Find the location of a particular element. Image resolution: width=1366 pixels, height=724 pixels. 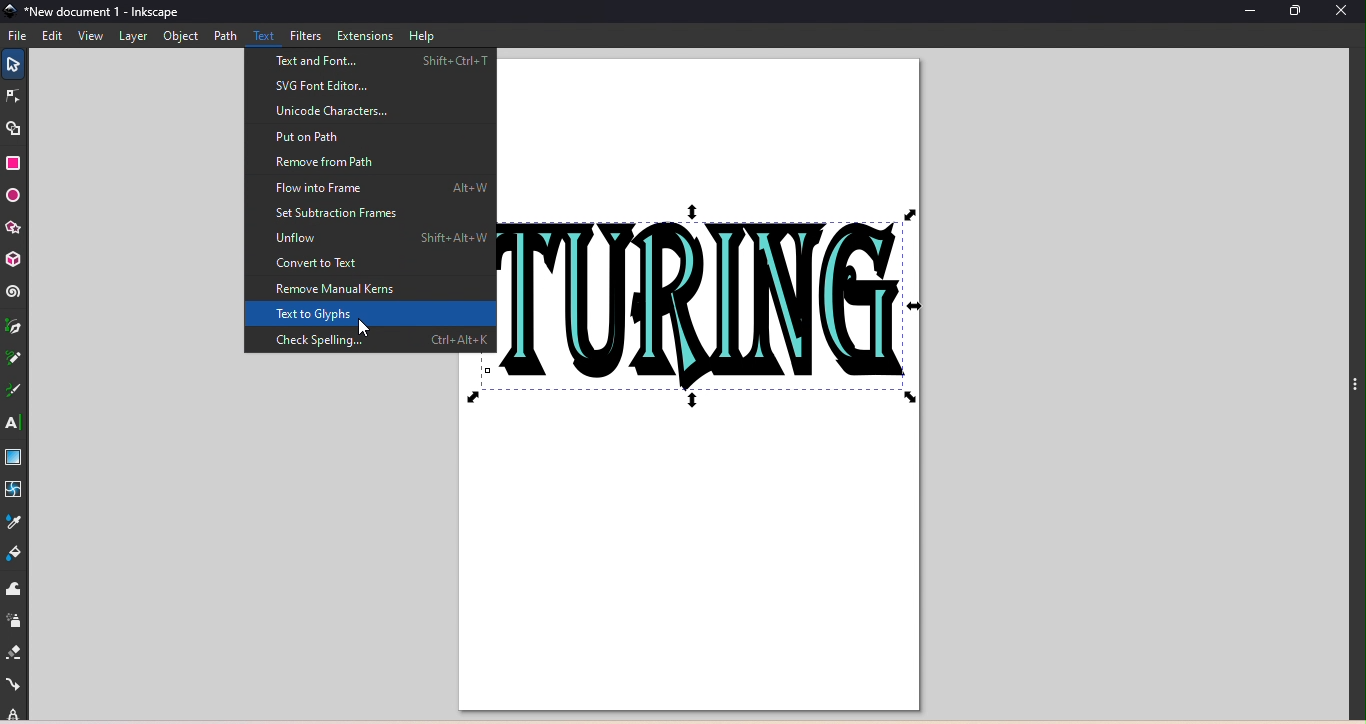

Maximize is located at coordinates (1300, 12).